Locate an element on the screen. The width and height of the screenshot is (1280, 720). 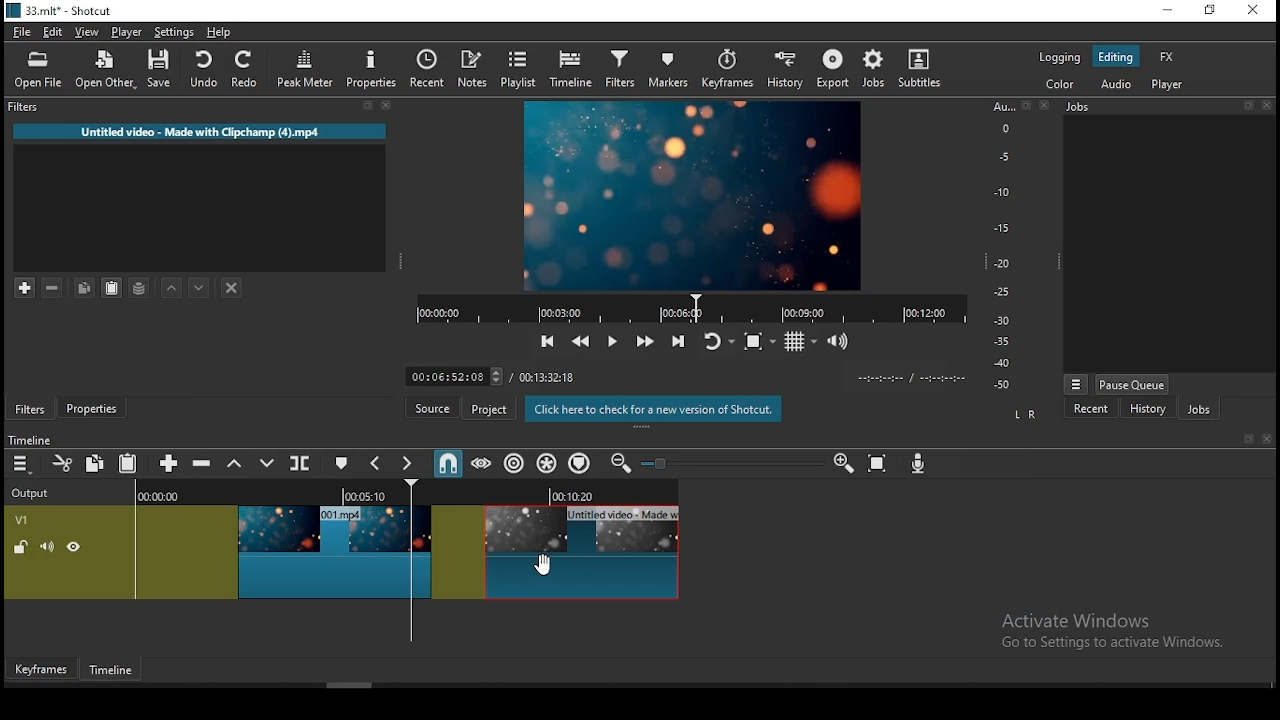
deselct filter is located at coordinates (231, 287).